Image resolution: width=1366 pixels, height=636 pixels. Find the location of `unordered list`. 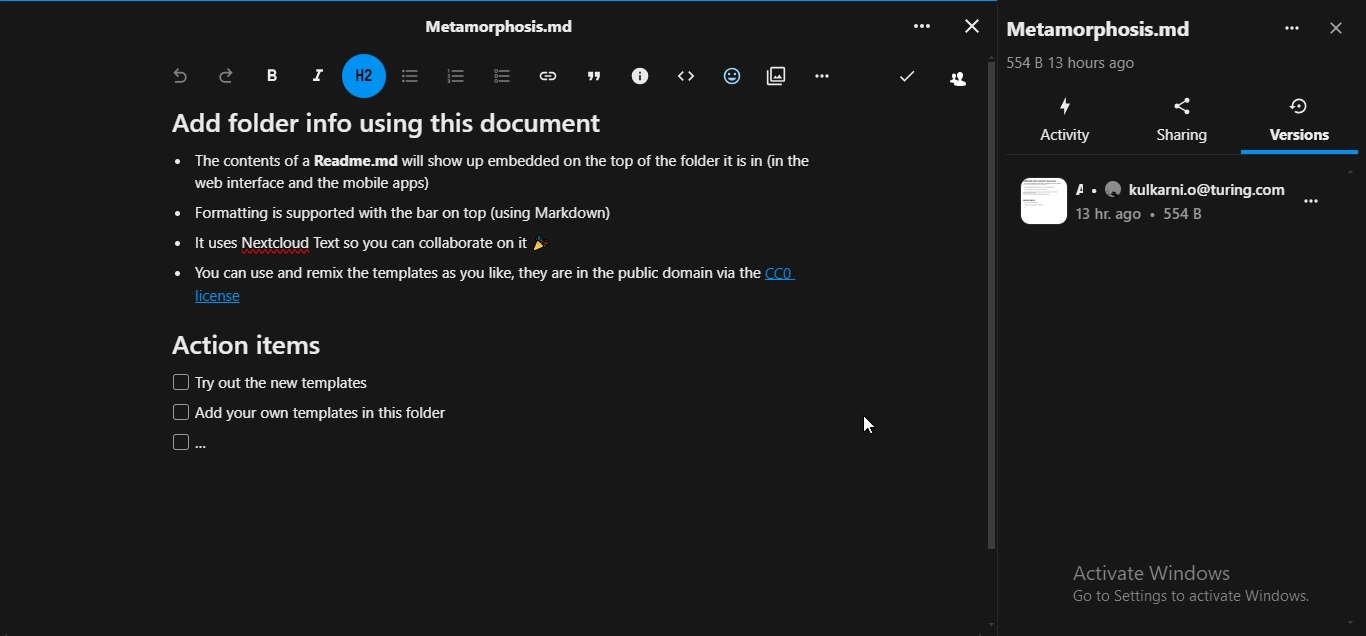

unordered list is located at coordinates (408, 76).